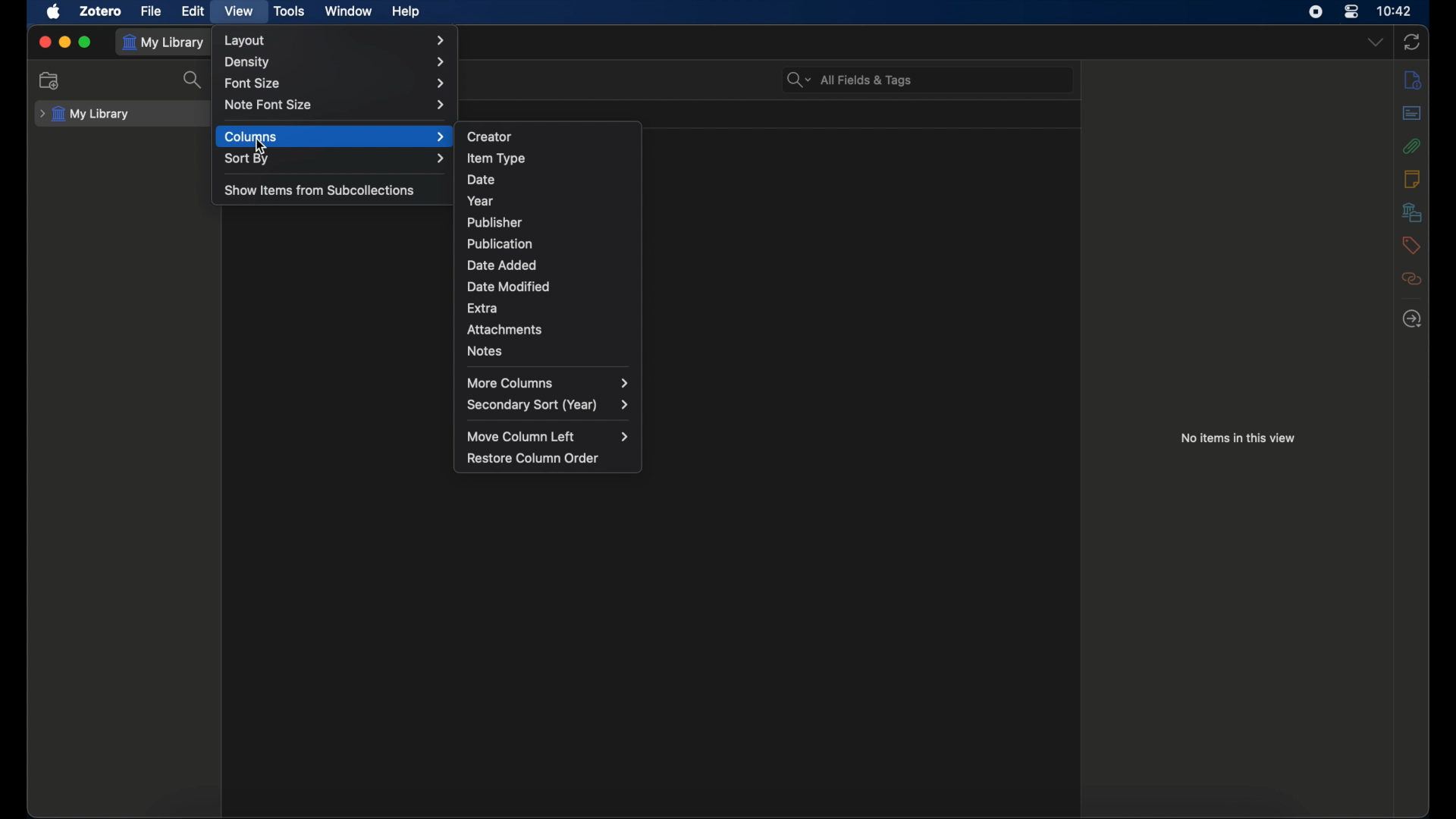  I want to click on show items from subcollections, so click(319, 191).